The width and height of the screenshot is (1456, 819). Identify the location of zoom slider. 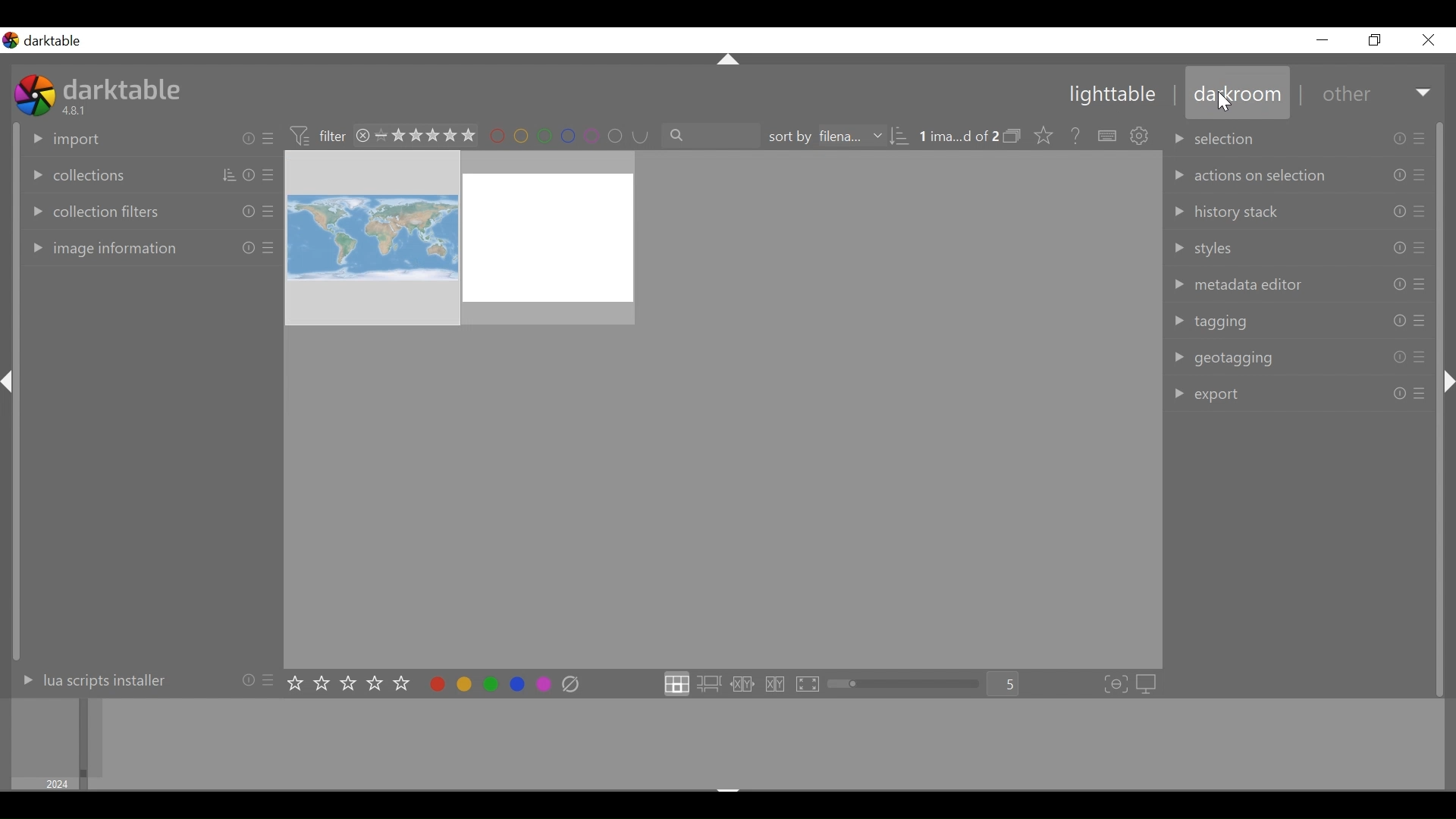
(907, 684).